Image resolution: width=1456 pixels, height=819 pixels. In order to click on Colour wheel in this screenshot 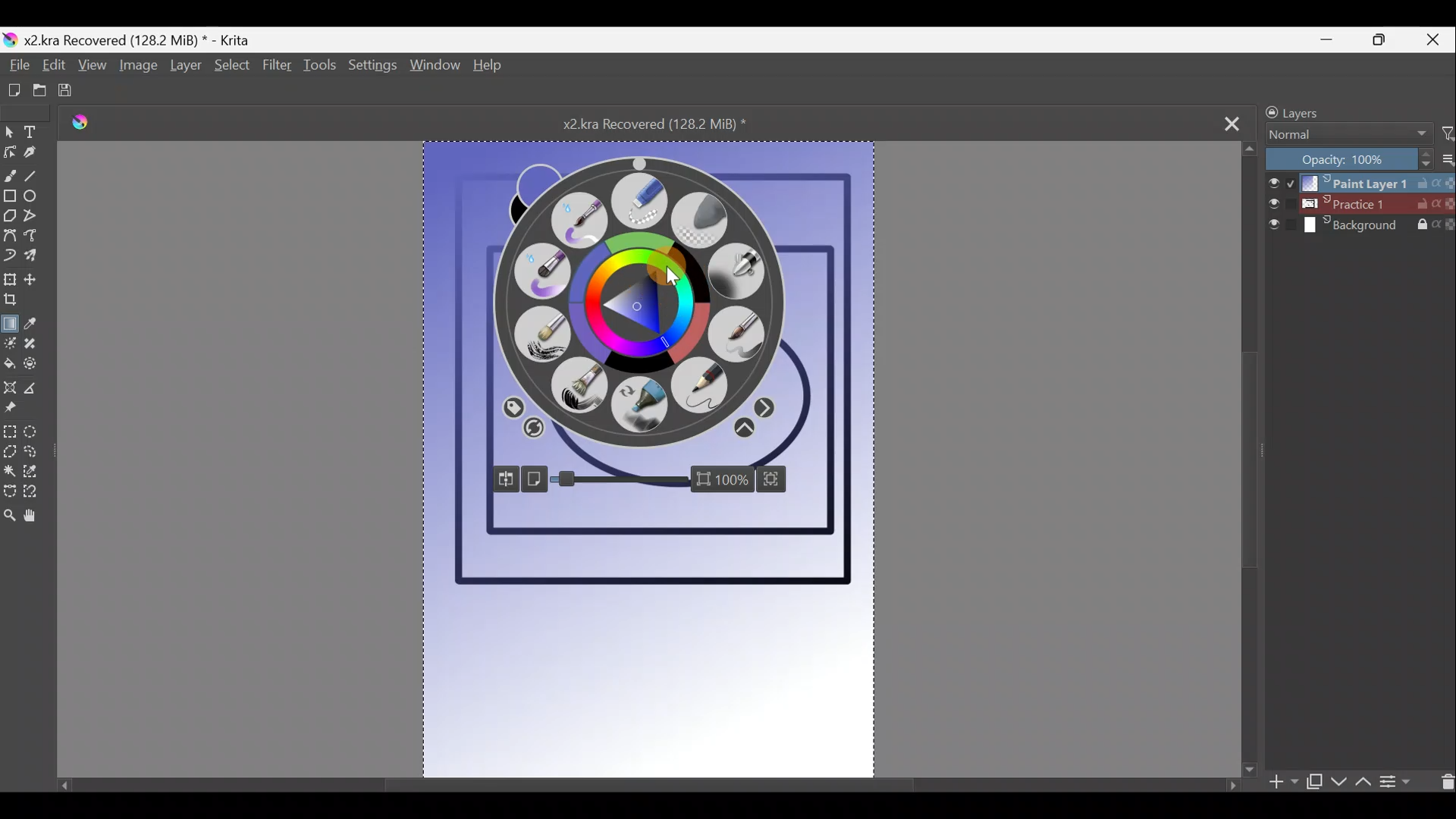, I will do `click(604, 303)`.